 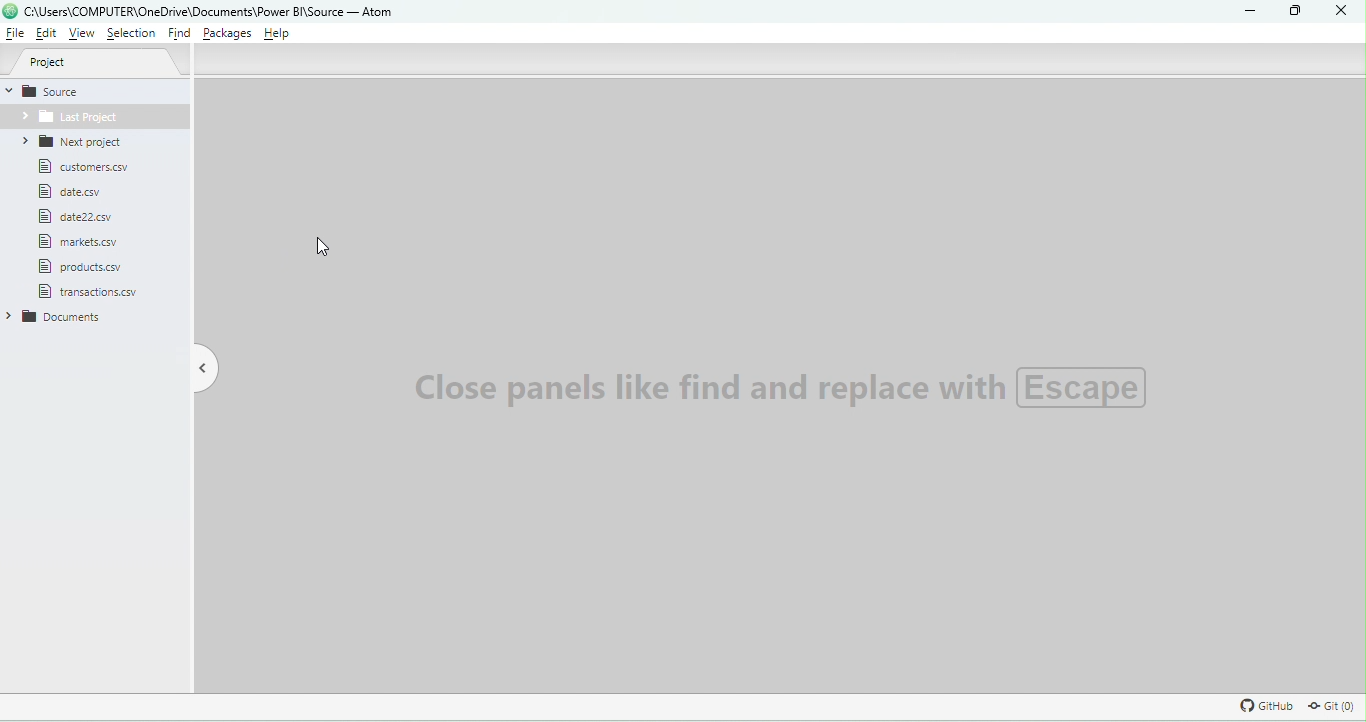 I want to click on Git repository, so click(x=1325, y=706).